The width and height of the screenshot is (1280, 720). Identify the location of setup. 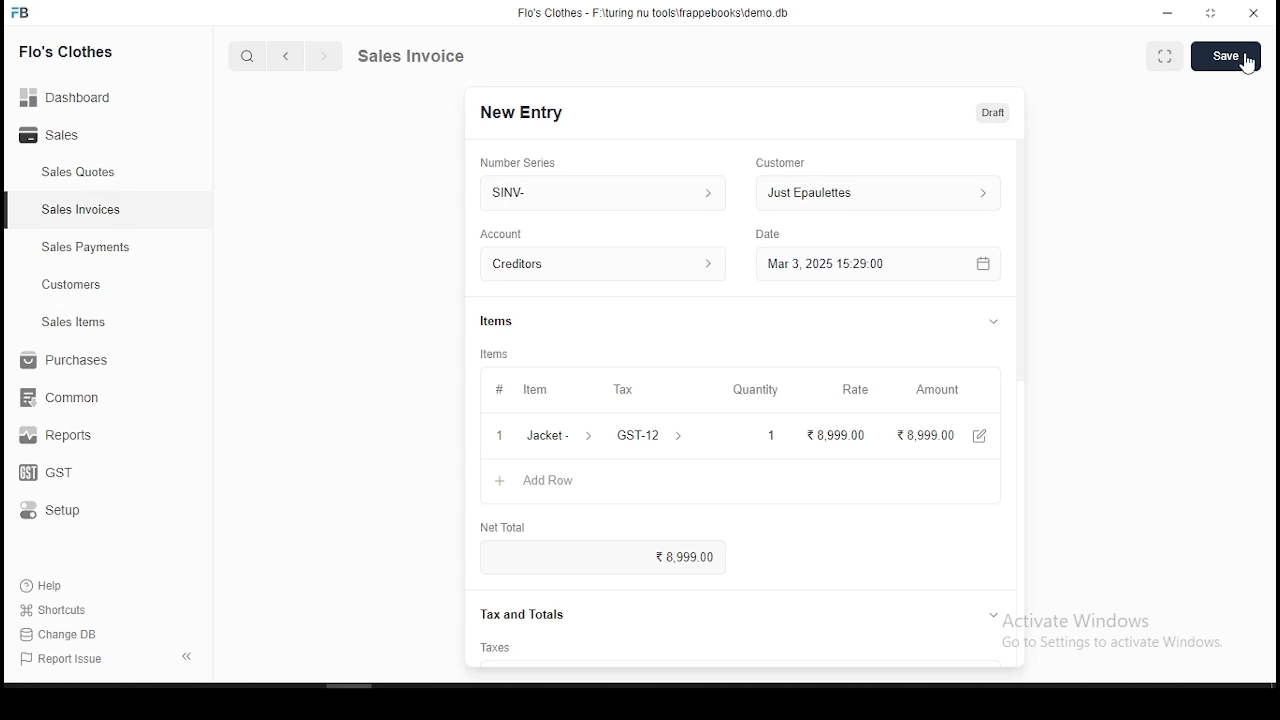
(66, 511).